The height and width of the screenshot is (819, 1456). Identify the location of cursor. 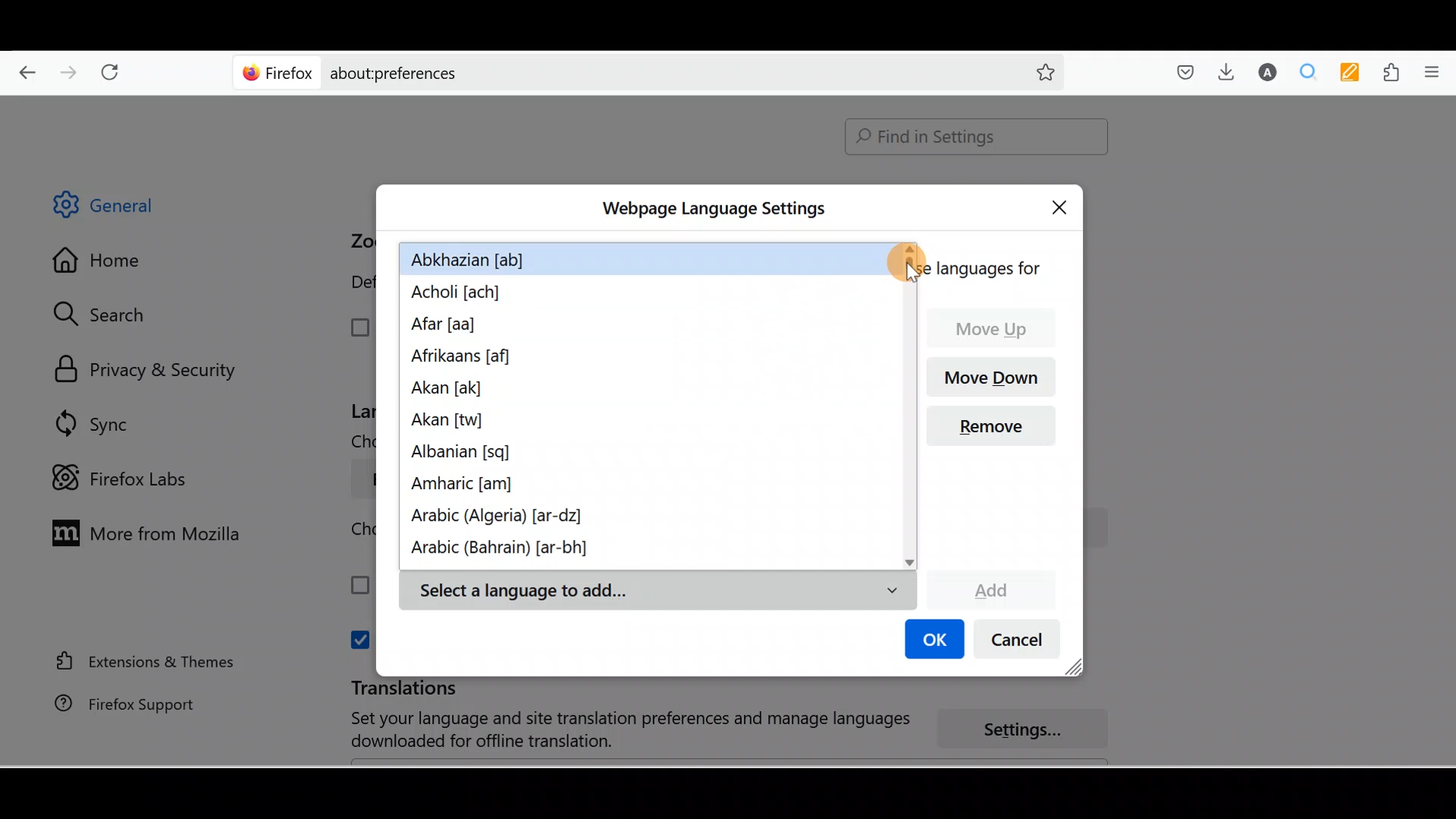
(906, 264).